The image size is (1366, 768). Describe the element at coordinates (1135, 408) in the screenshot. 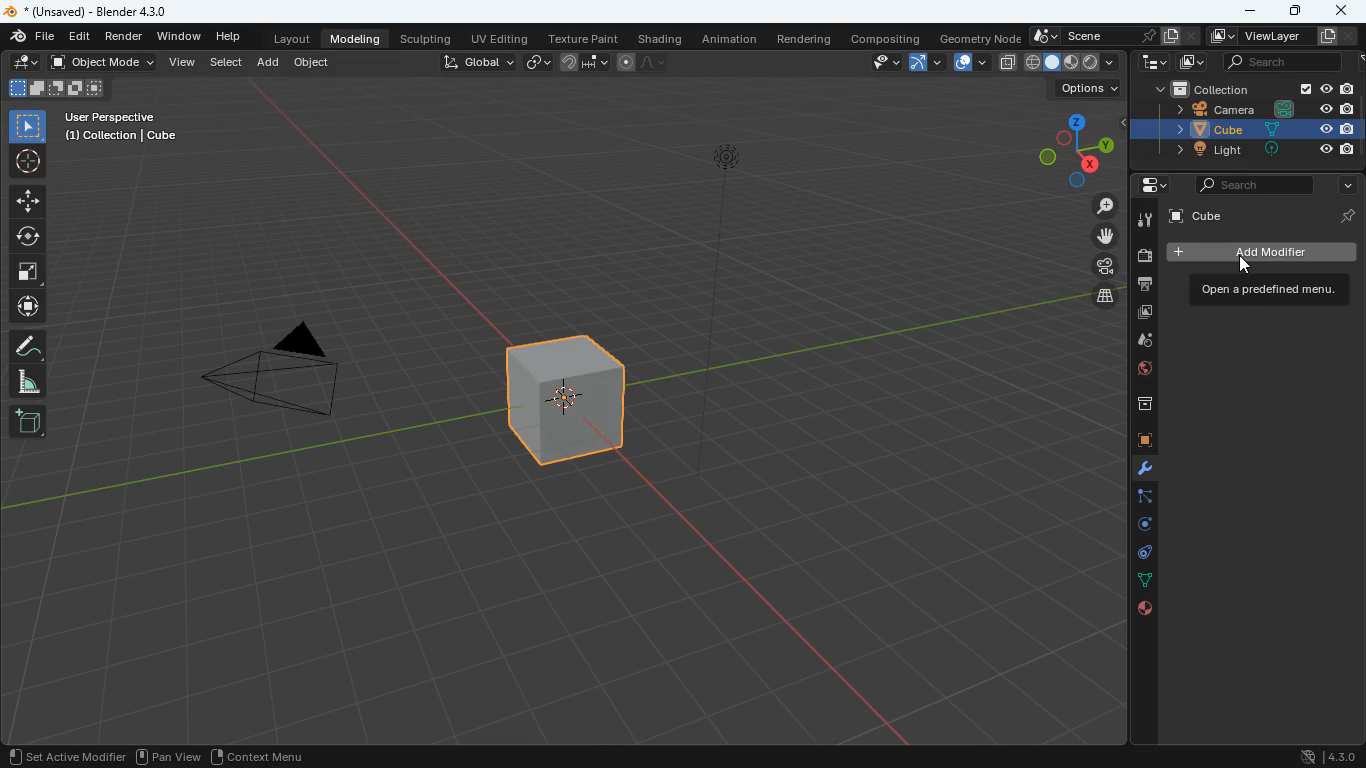

I see `archive` at that location.